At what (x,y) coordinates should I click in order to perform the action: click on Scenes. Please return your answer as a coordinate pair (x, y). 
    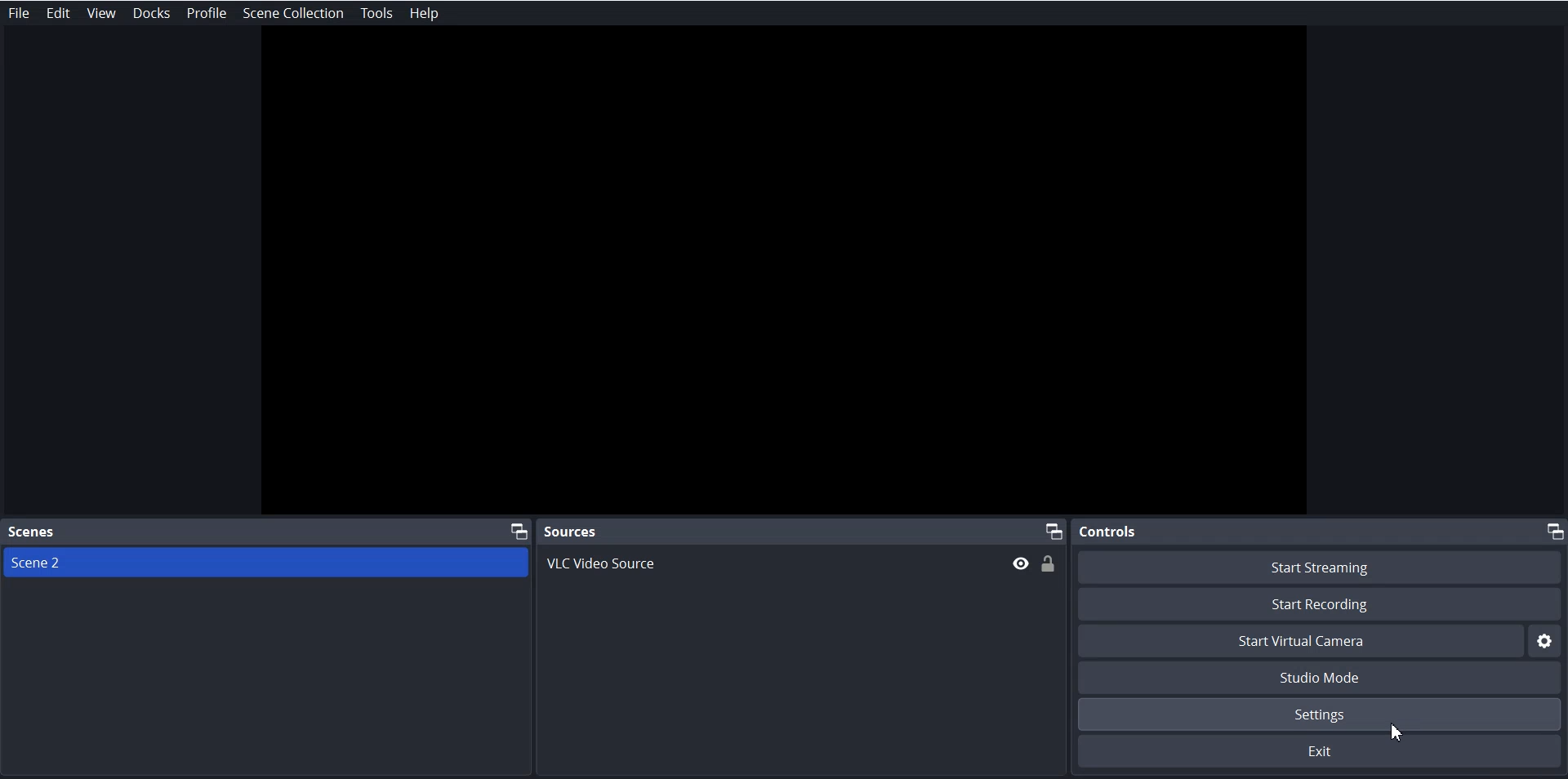
    Looking at the image, I should click on (33, 531).